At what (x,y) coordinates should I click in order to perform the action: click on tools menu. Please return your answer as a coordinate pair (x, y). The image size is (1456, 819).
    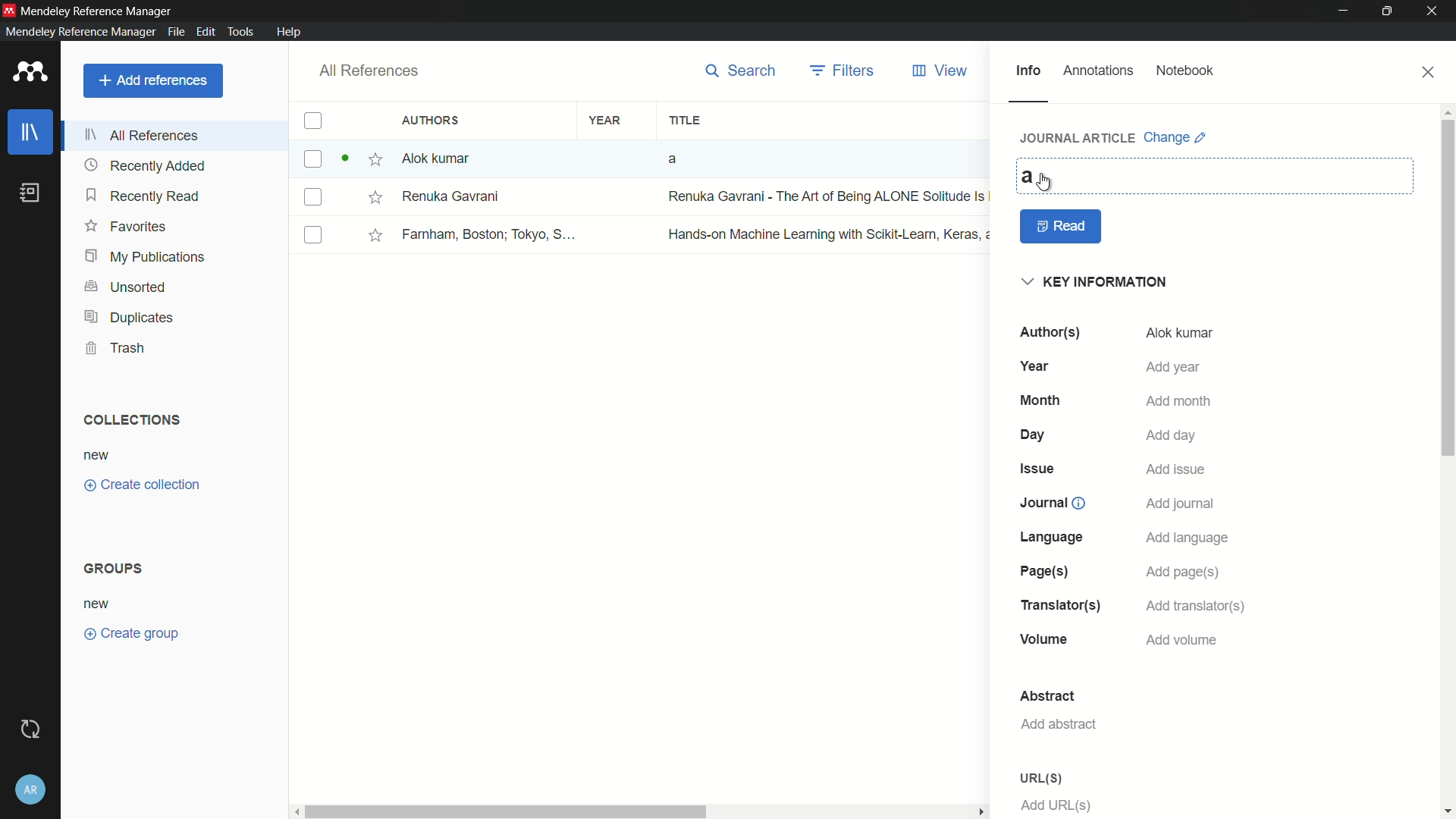
    Looking at the image, I should click on (238, 31).